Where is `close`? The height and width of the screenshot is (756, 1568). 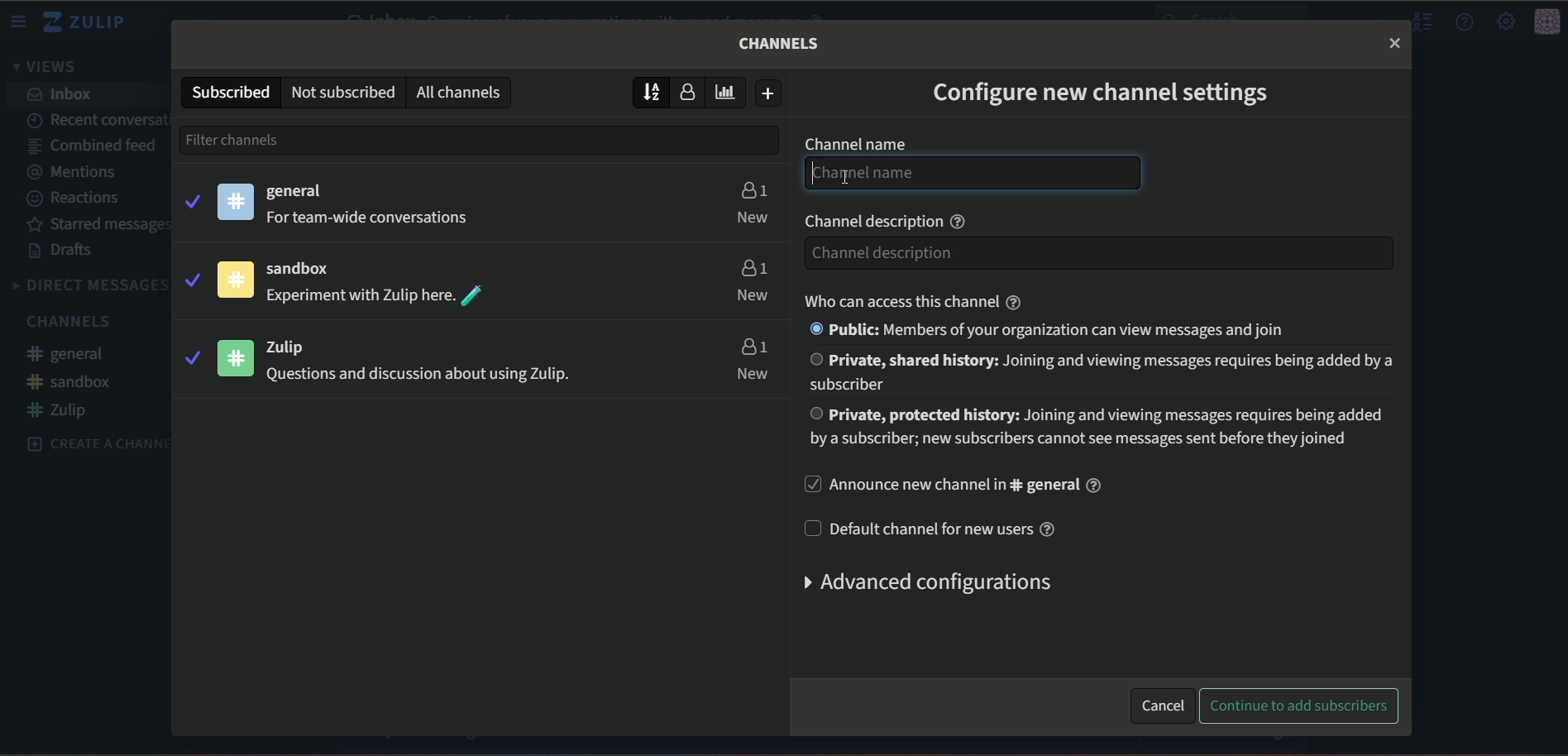 close is located at coordinates (1394, 42).